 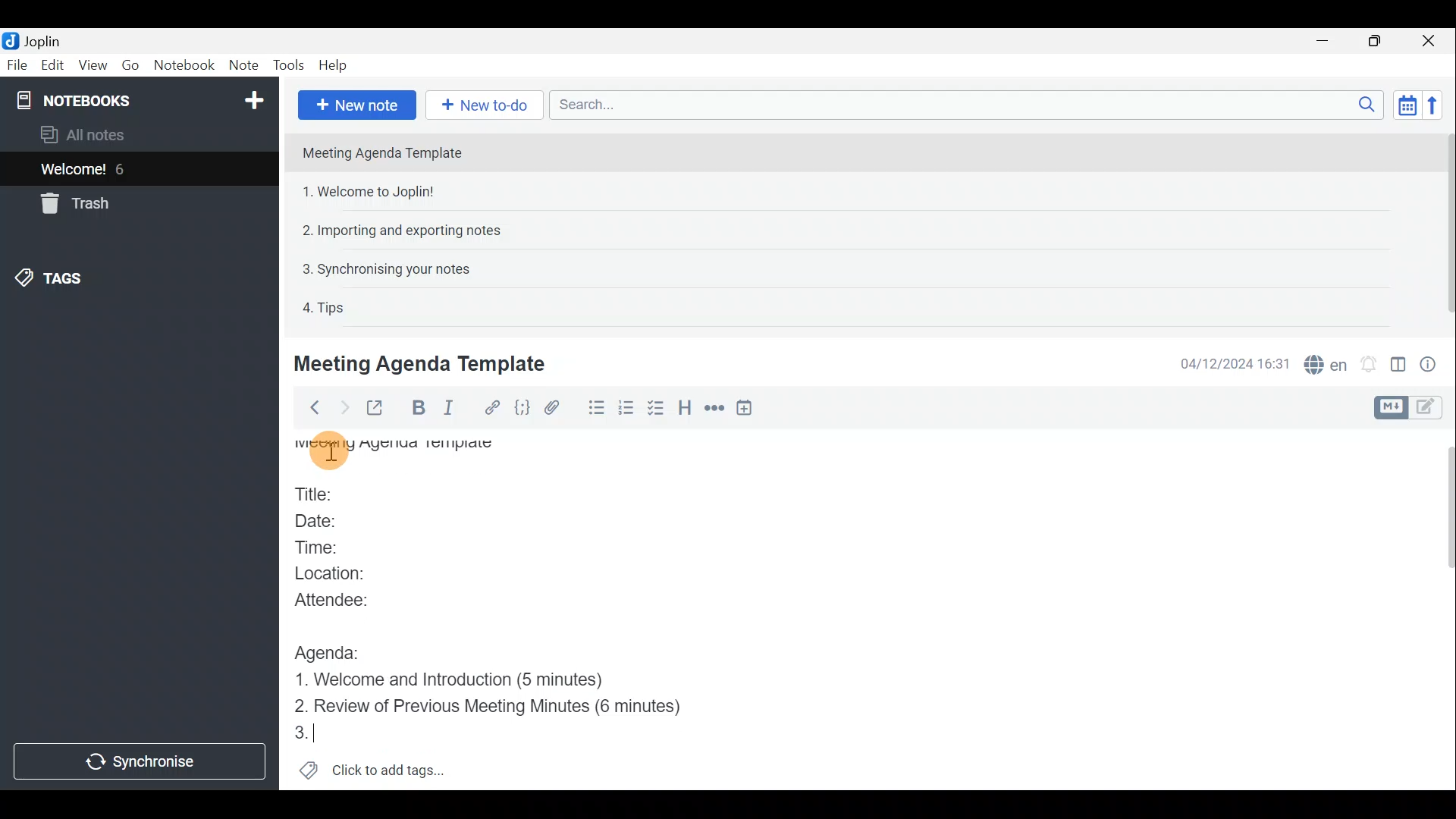 I want to click on Bulleted list, so click(x=595, y=408).